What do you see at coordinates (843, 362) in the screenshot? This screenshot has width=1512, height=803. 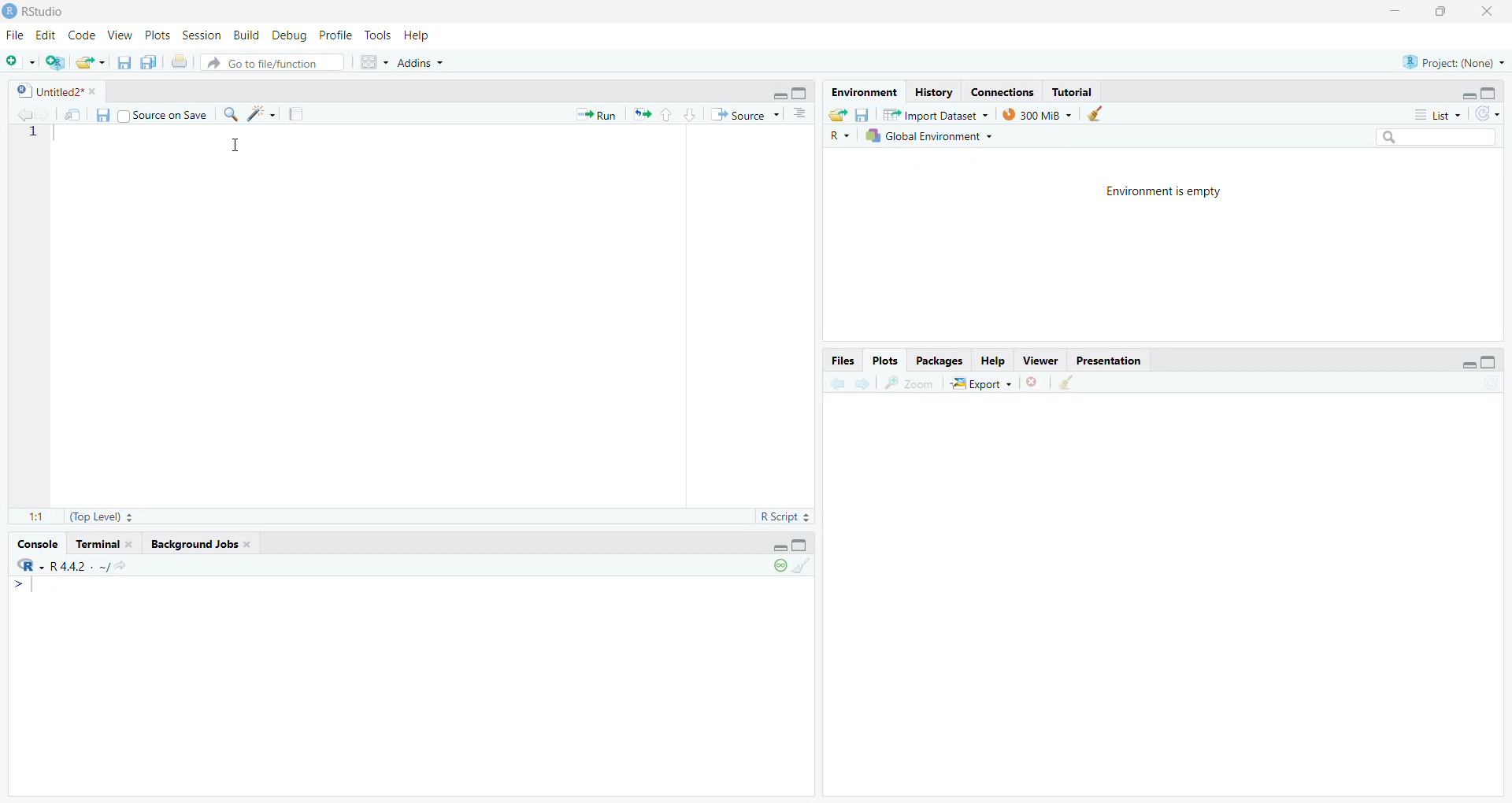 I see `Files` at bounding box center [843, 362].